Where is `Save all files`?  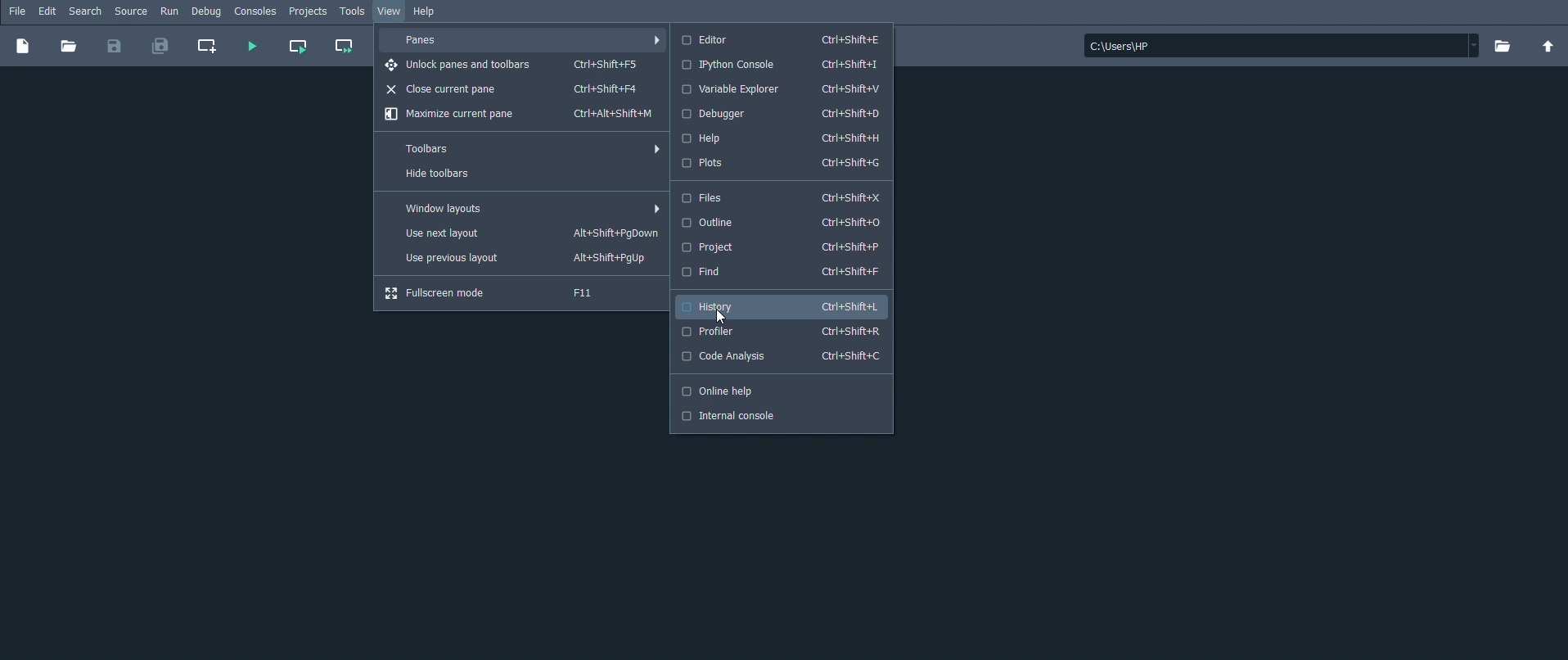
Save all files is located at coordinates (161, 47).